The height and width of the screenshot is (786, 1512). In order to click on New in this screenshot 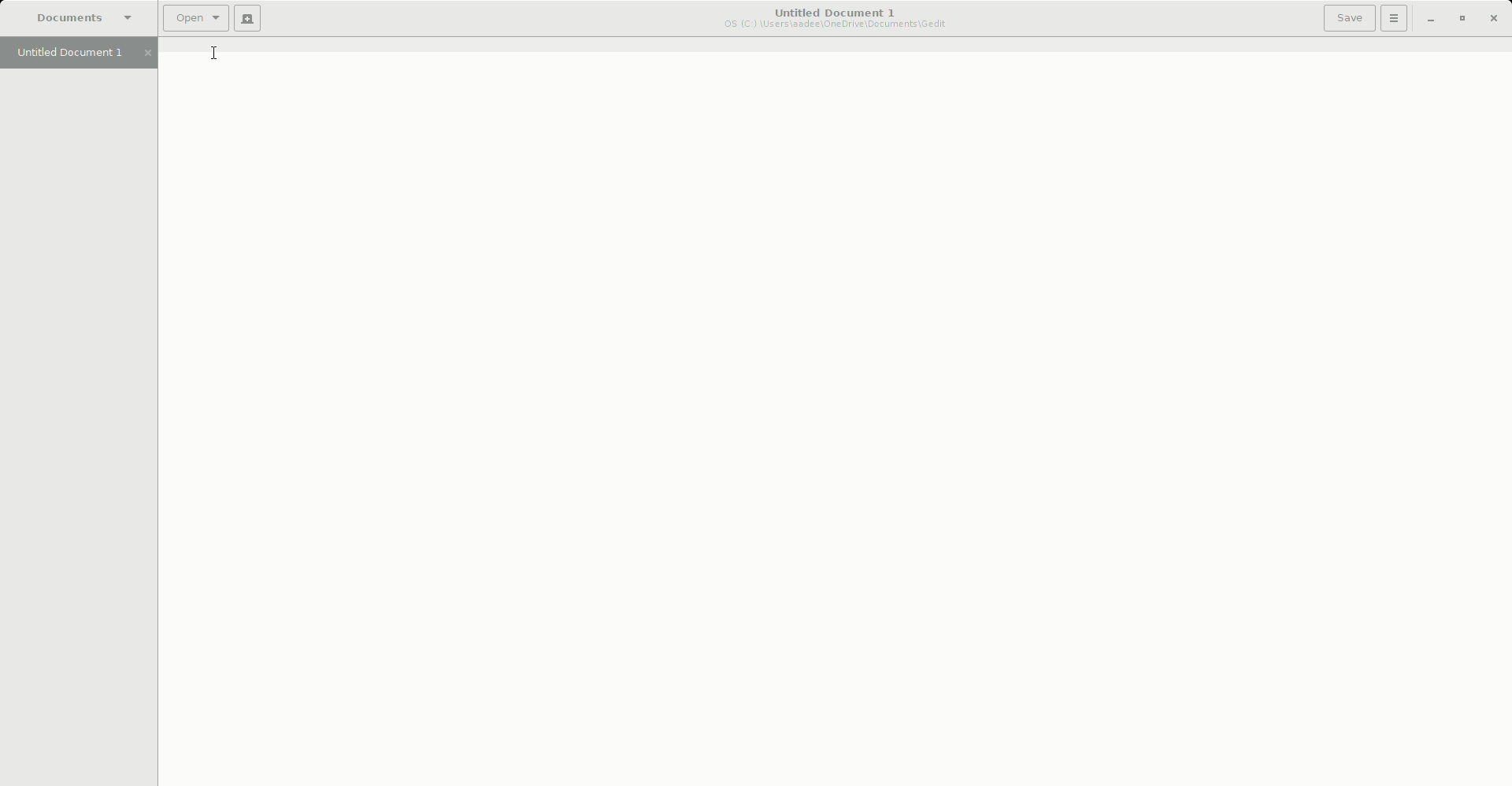, I will do `click(247, 19)`.